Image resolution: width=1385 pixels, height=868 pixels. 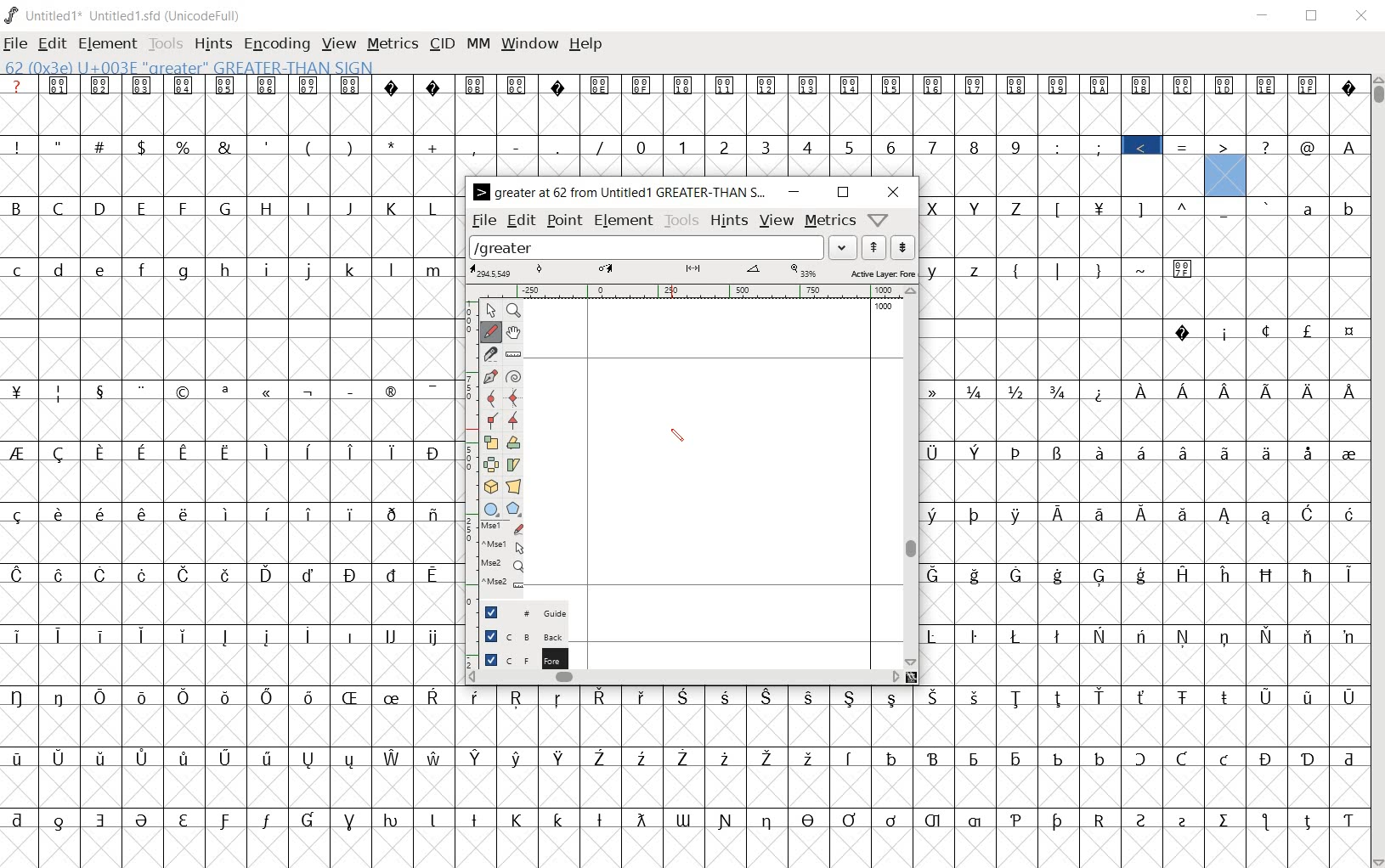 I want to click on mm, so click(x=478, y=45).